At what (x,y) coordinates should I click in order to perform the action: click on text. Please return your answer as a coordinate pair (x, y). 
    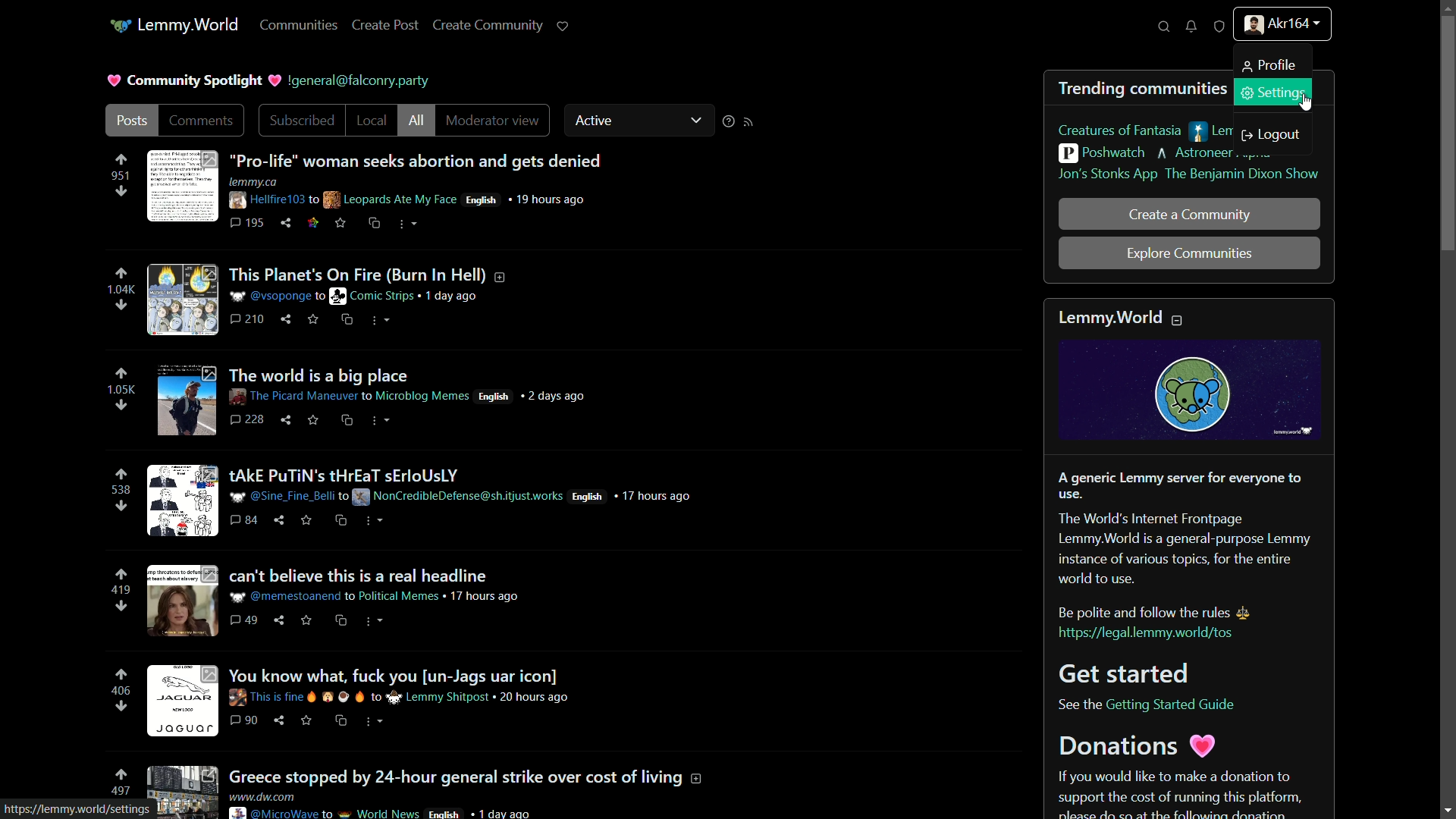
    Looking at the image, I should click on (363, 83).